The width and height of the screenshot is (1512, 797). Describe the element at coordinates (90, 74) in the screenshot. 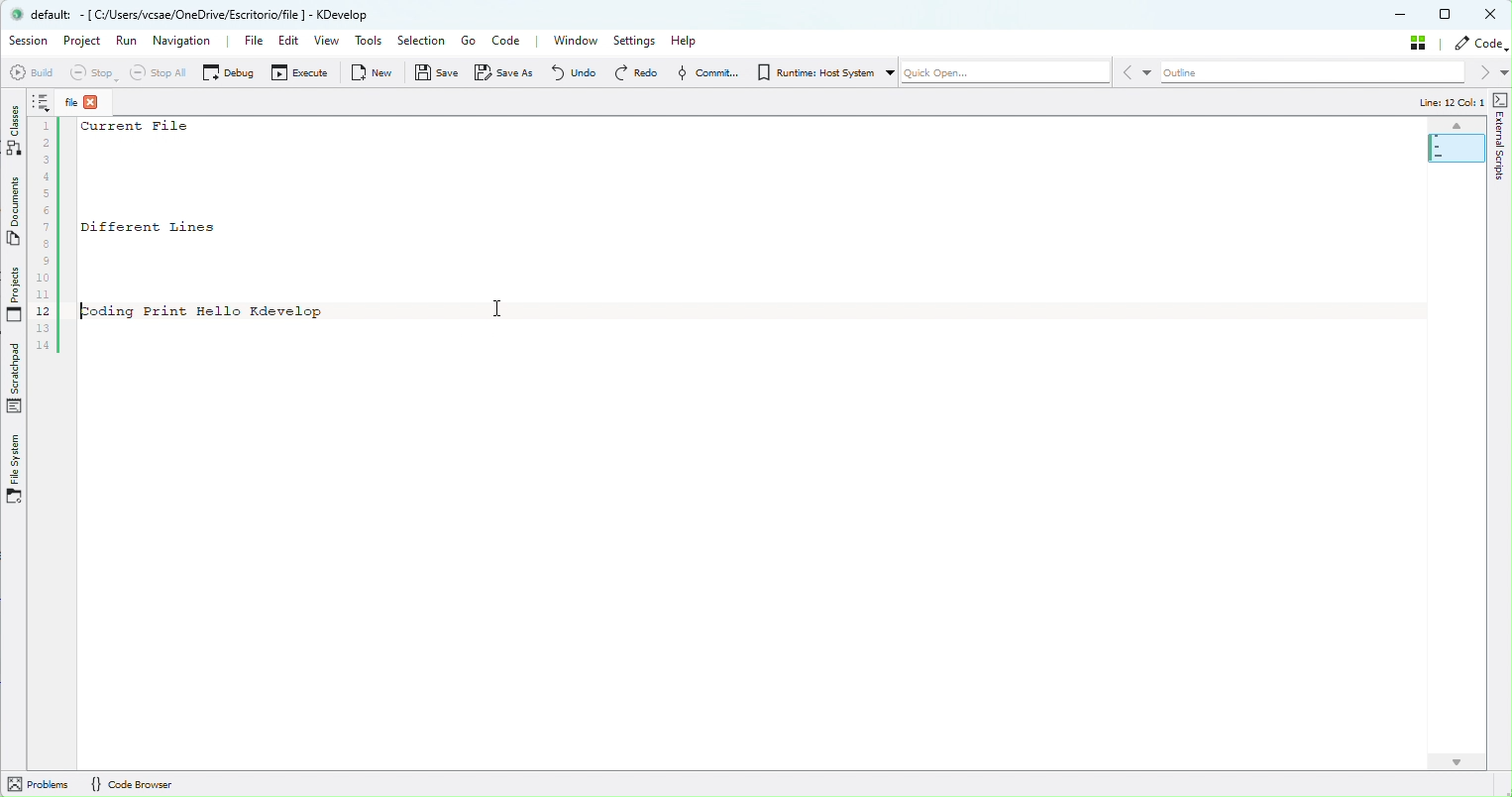

I see `Stop` at that location.